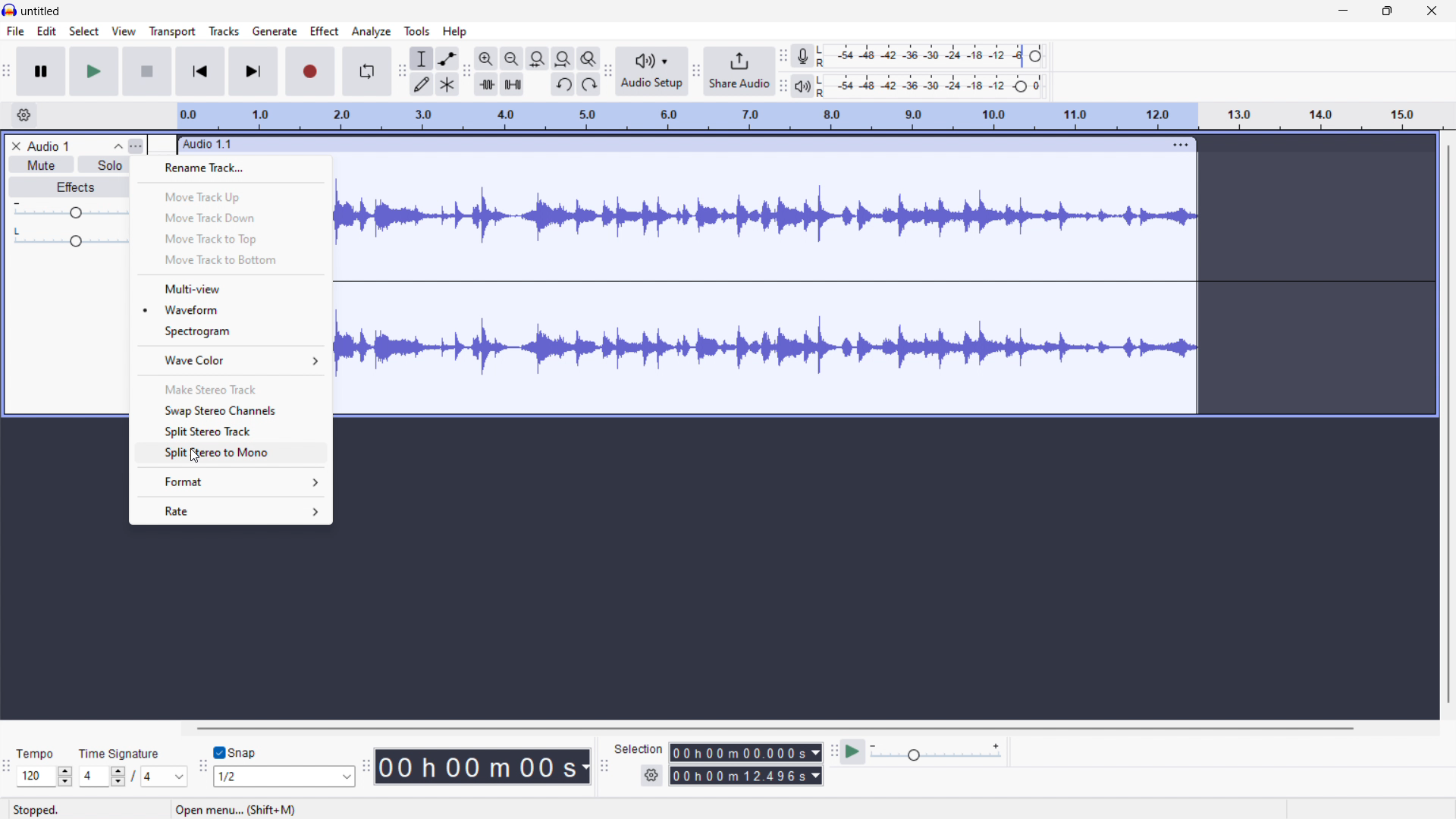 The image size is (1456, 819). I want to click on recording level, so click(933, 55).